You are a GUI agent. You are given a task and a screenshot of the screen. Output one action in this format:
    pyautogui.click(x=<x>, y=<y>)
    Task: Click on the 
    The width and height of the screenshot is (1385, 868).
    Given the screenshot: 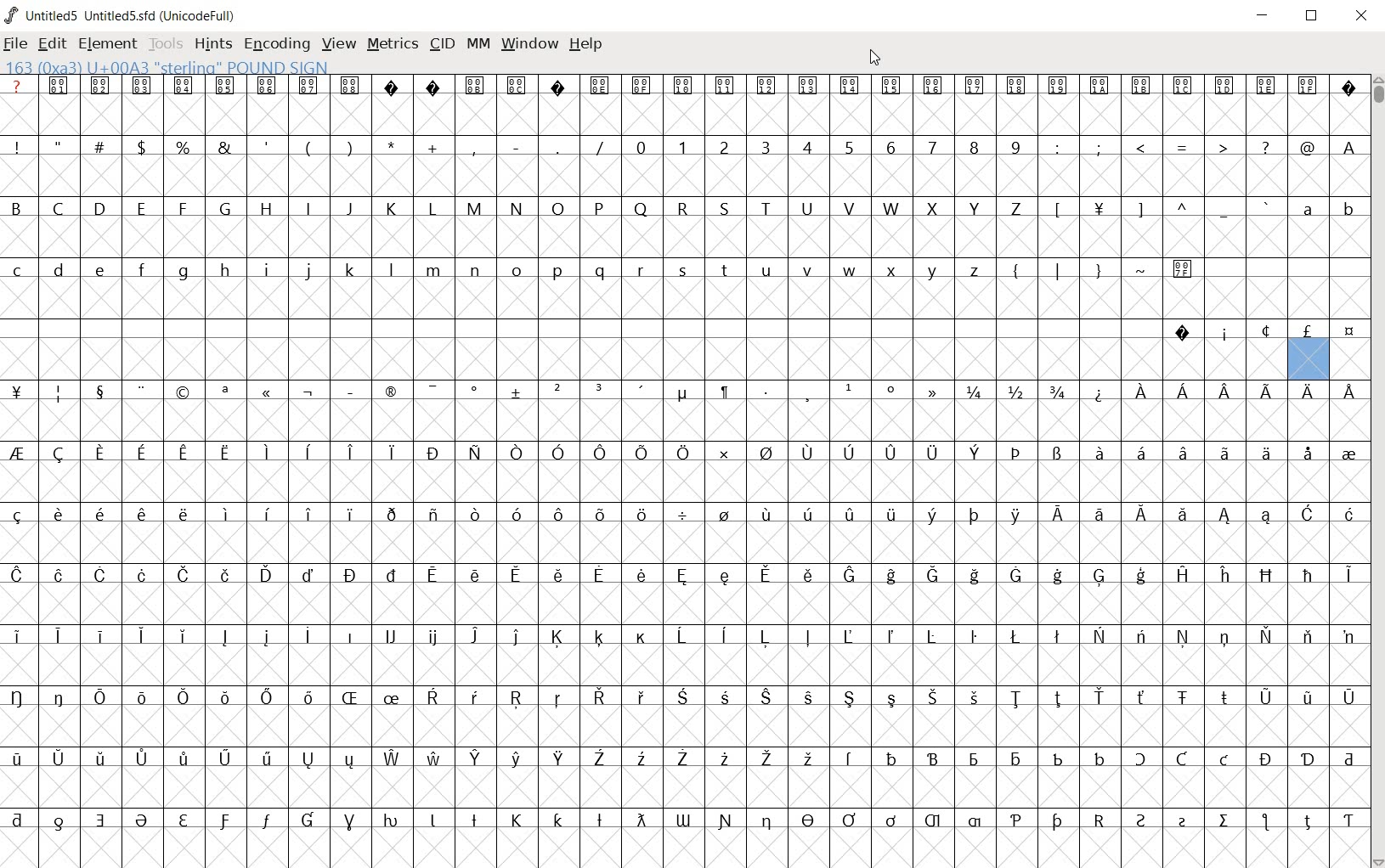 What is the action you would take?
    pyautogui.click(x=266, y=513)
    